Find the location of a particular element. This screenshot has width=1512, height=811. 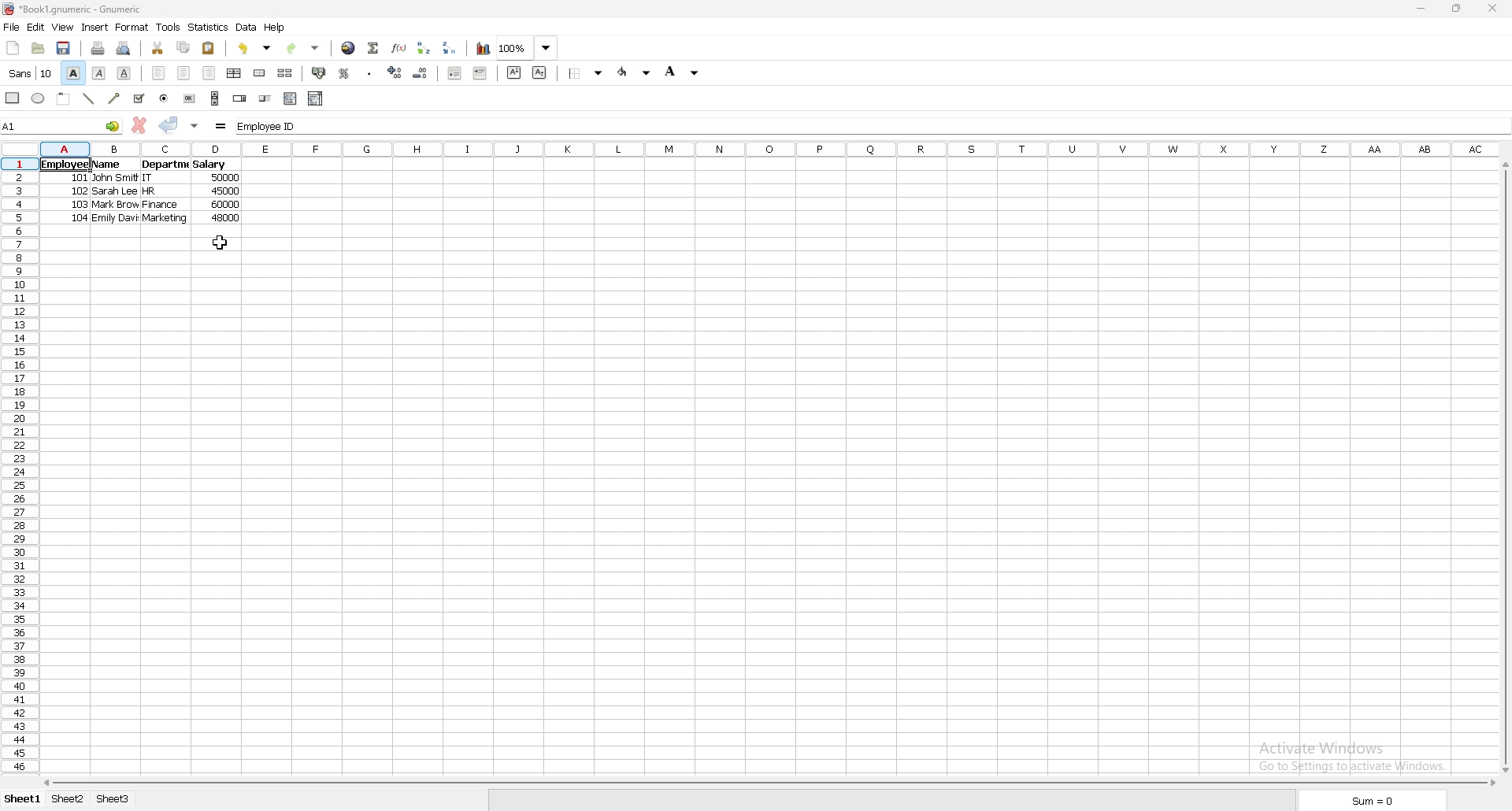

accept all changes is located at coordinates (195, 127).